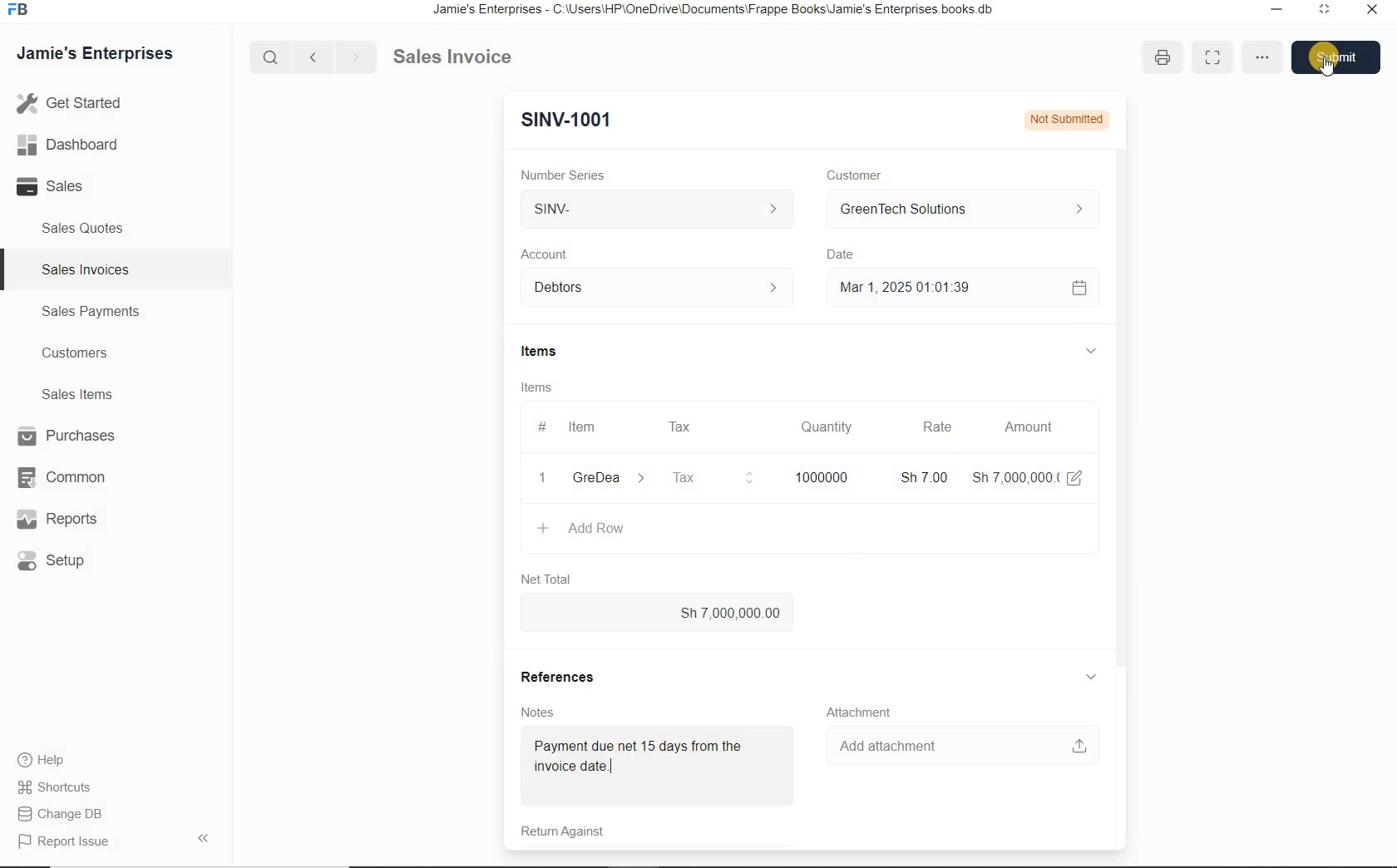 Image resolution: width=1397 pixels, height=868 pixels. Describe the element at coordinates (1028, 427) in the screenshot. I see `Amount` at that location.